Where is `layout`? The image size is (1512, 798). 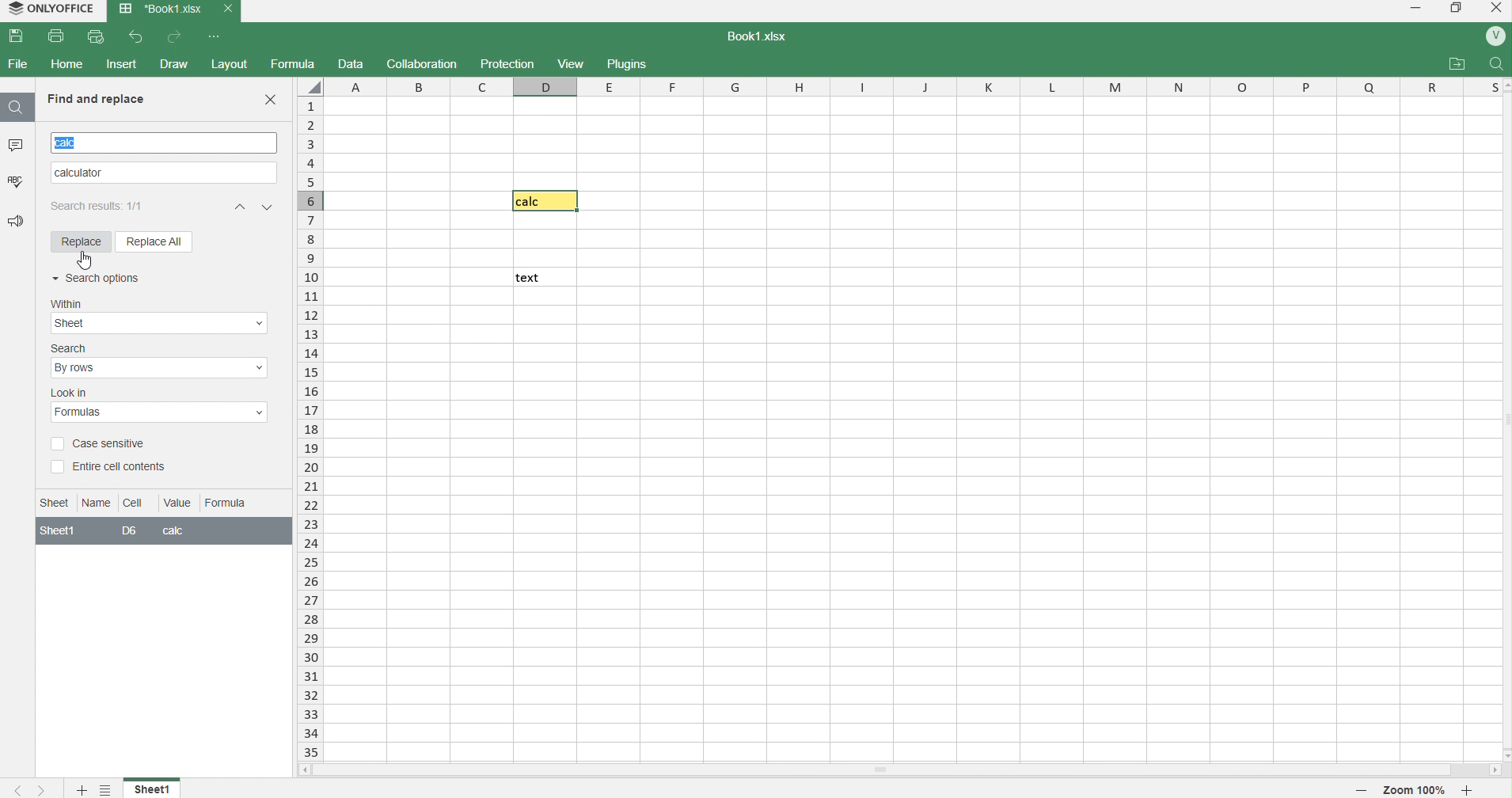 layout is located at coordinates (232, 63).